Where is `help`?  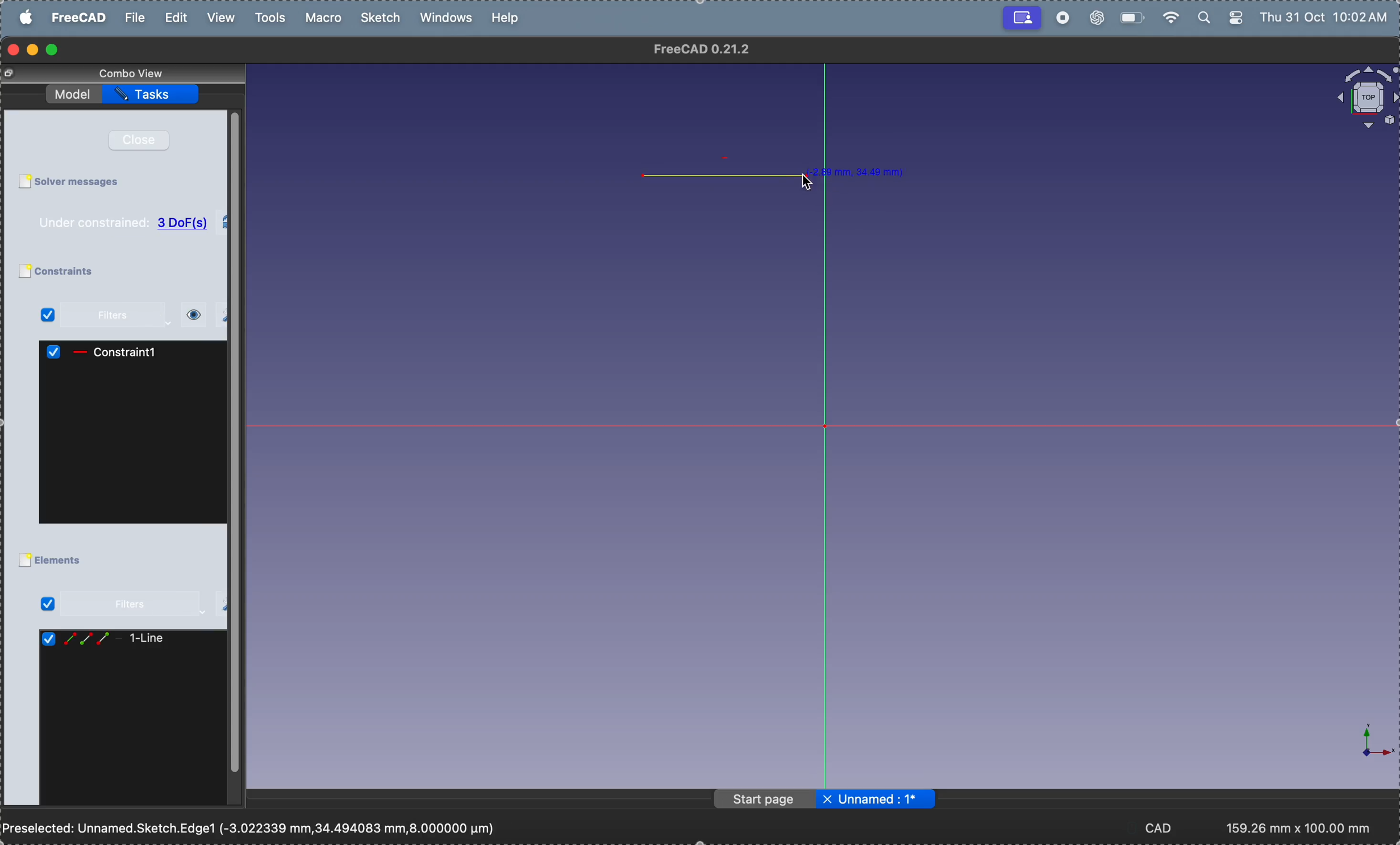
help is located at coordinates (507, 17).